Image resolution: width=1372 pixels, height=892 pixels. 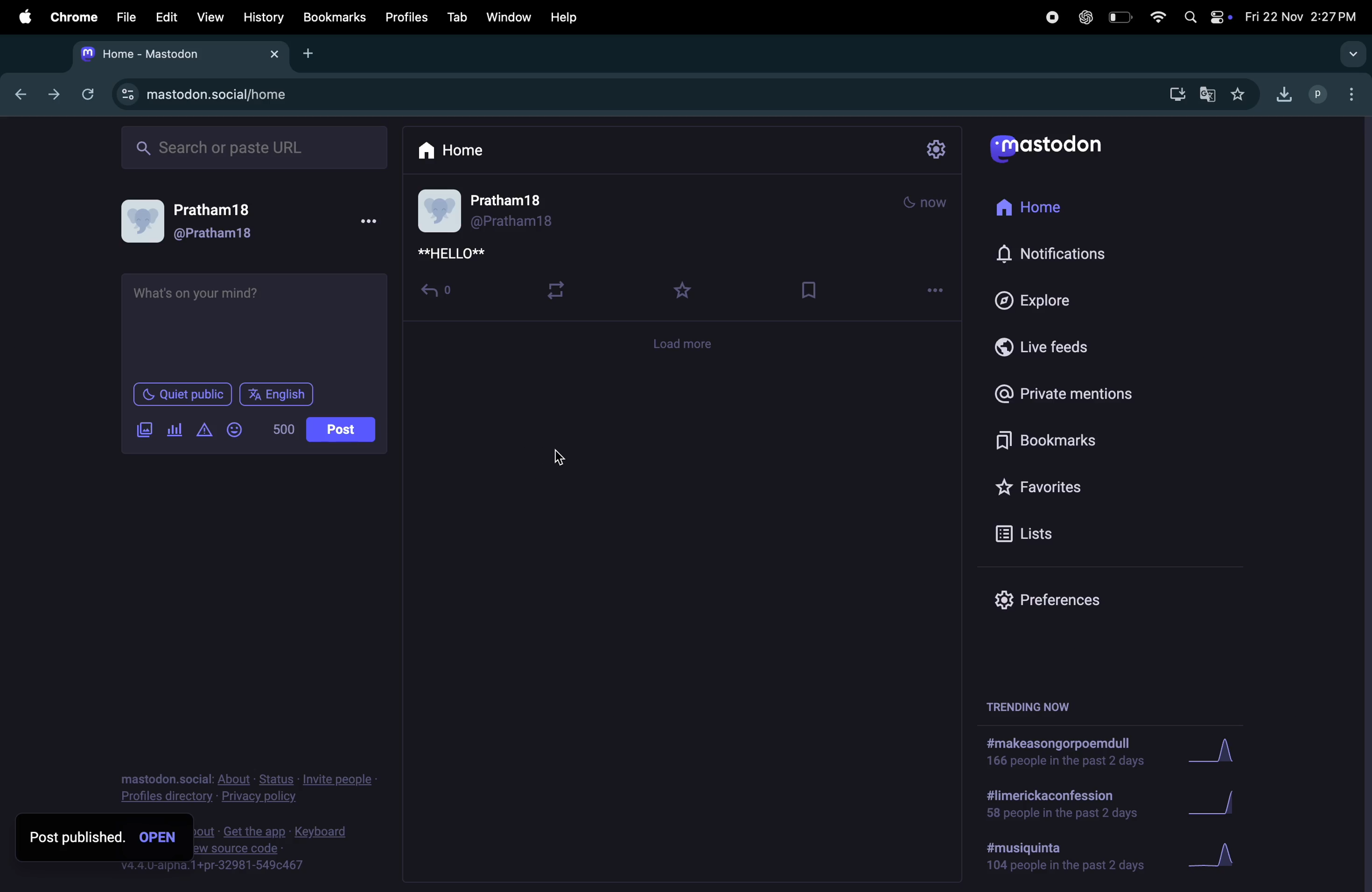 What do you see at coordinates (1177, 92) in the screenshot?
I see `downloads` at bounding box center [1177, 92].